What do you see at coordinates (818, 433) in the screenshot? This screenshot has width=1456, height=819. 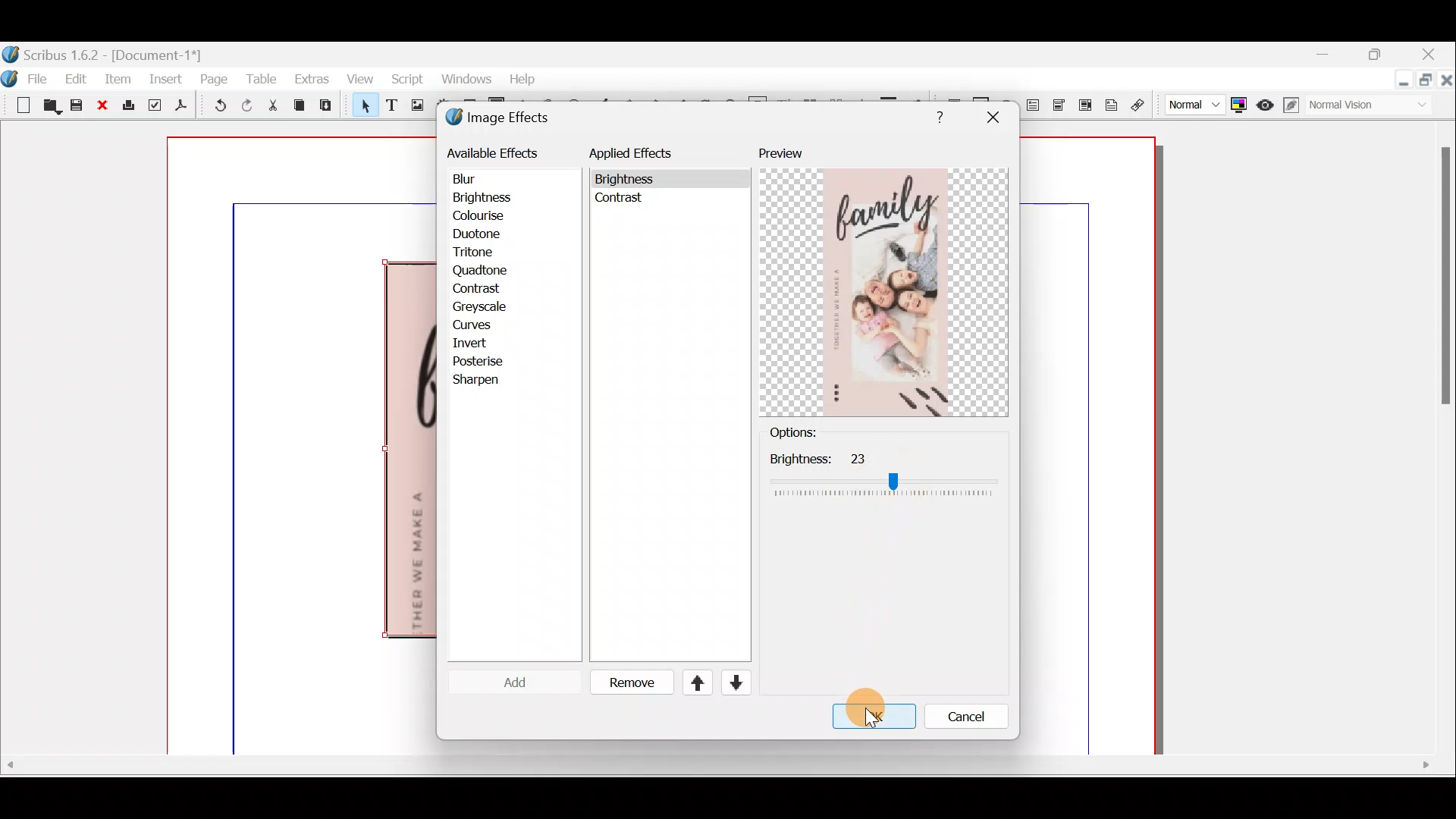 I see `Options` at bounding box center [818, 433].